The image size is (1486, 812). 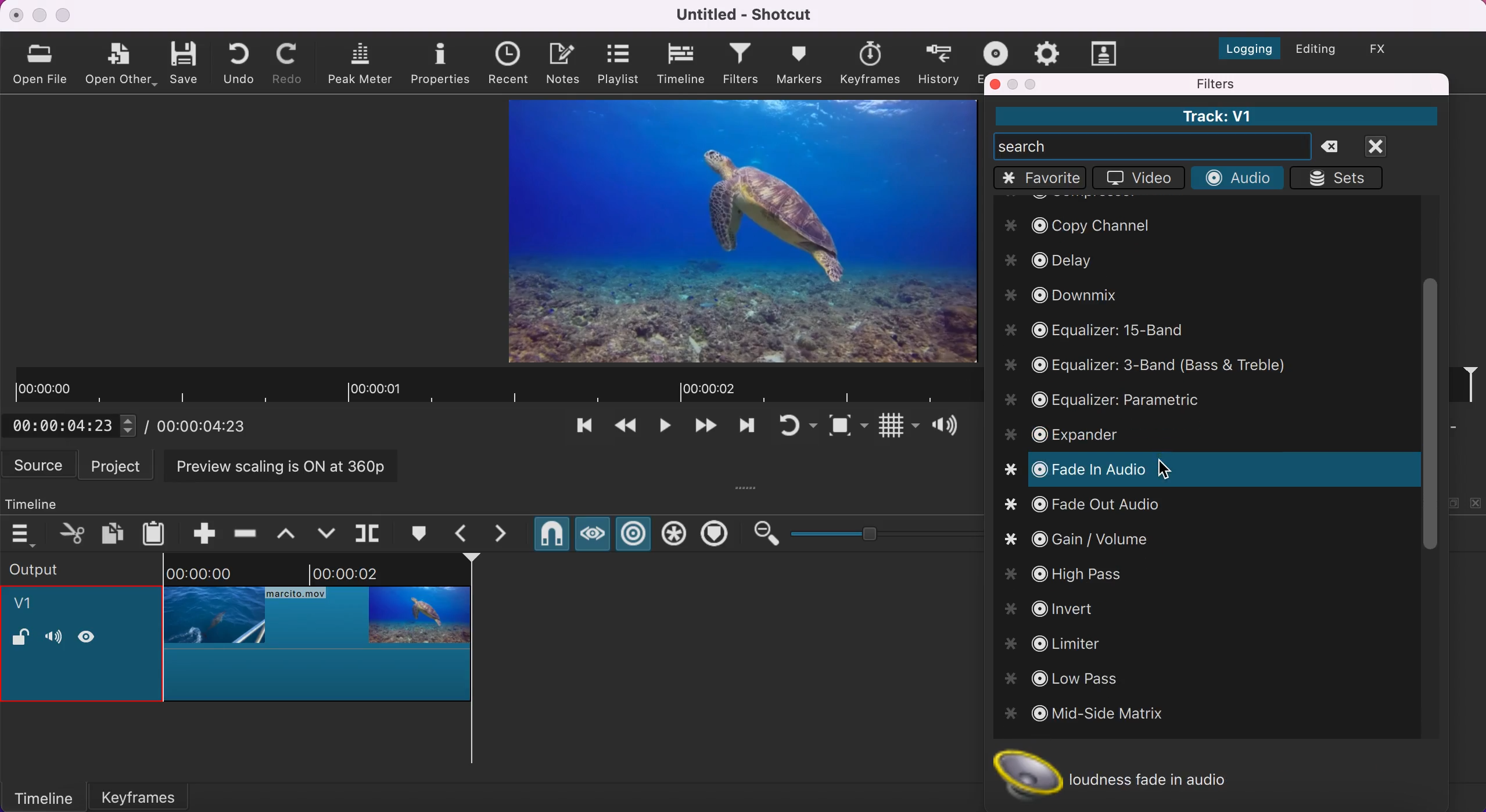 What do you see at coordinates (1314, 51) in the screenshot?
I see `switch to the editing layout` at bounding box center [1314, 51].